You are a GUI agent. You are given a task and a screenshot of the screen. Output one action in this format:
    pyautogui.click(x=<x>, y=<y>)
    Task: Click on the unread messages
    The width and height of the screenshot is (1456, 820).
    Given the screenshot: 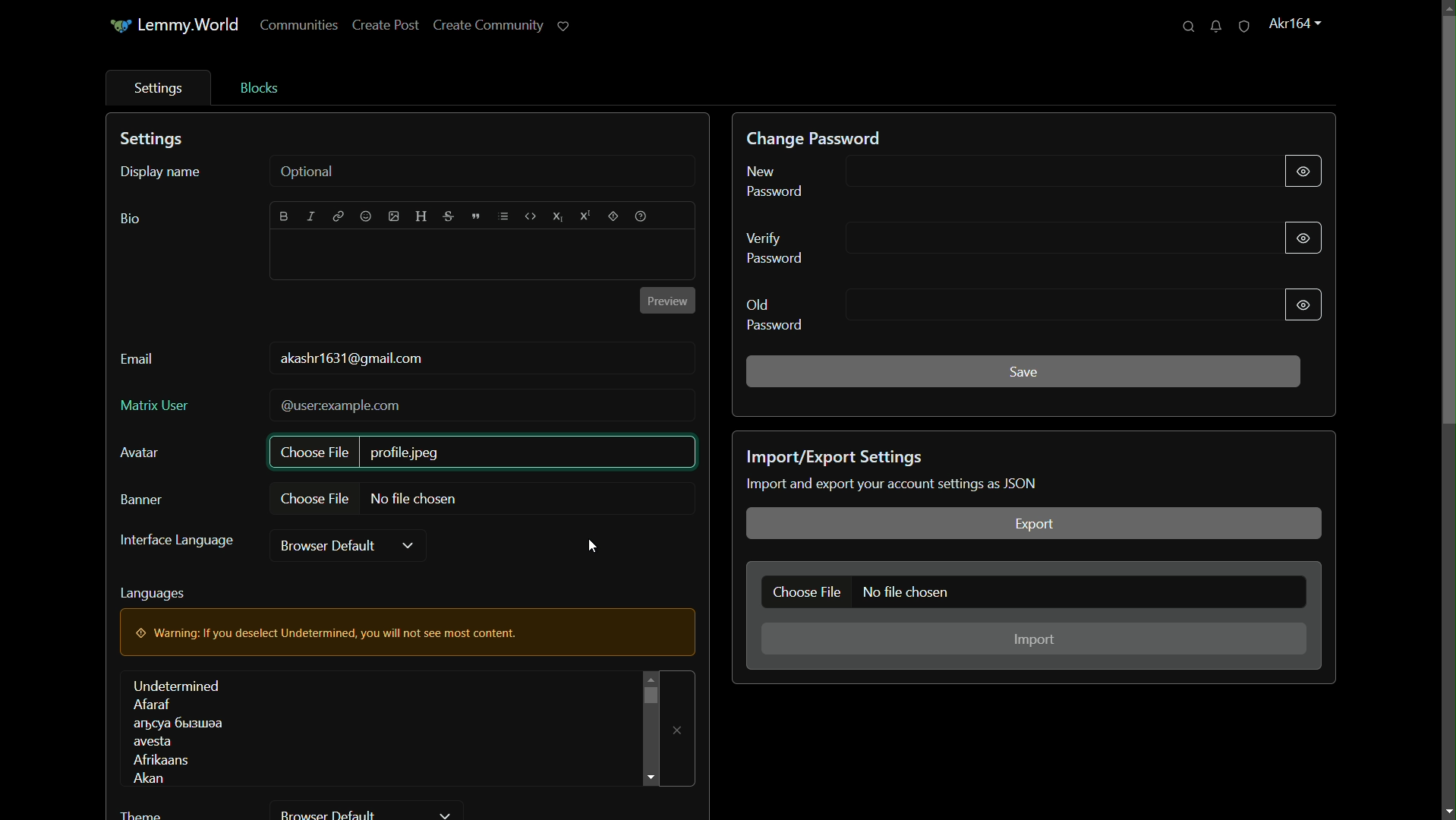 What is the action you would take?
    pyautogui.click(x=1215, y=27)
    